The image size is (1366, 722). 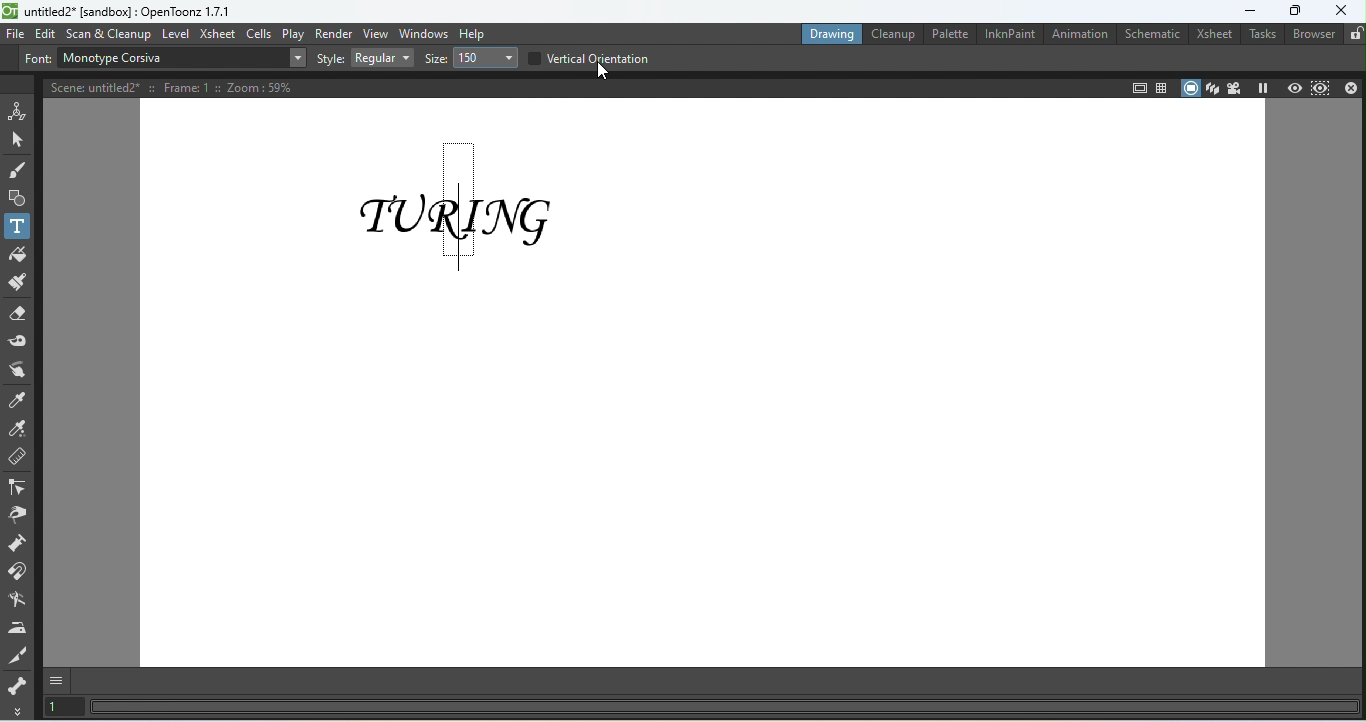 What do you see at coordinates (1354, 34) in the screenshot?
I see `Lock rooms tab` at bounding box center [1354, 34].